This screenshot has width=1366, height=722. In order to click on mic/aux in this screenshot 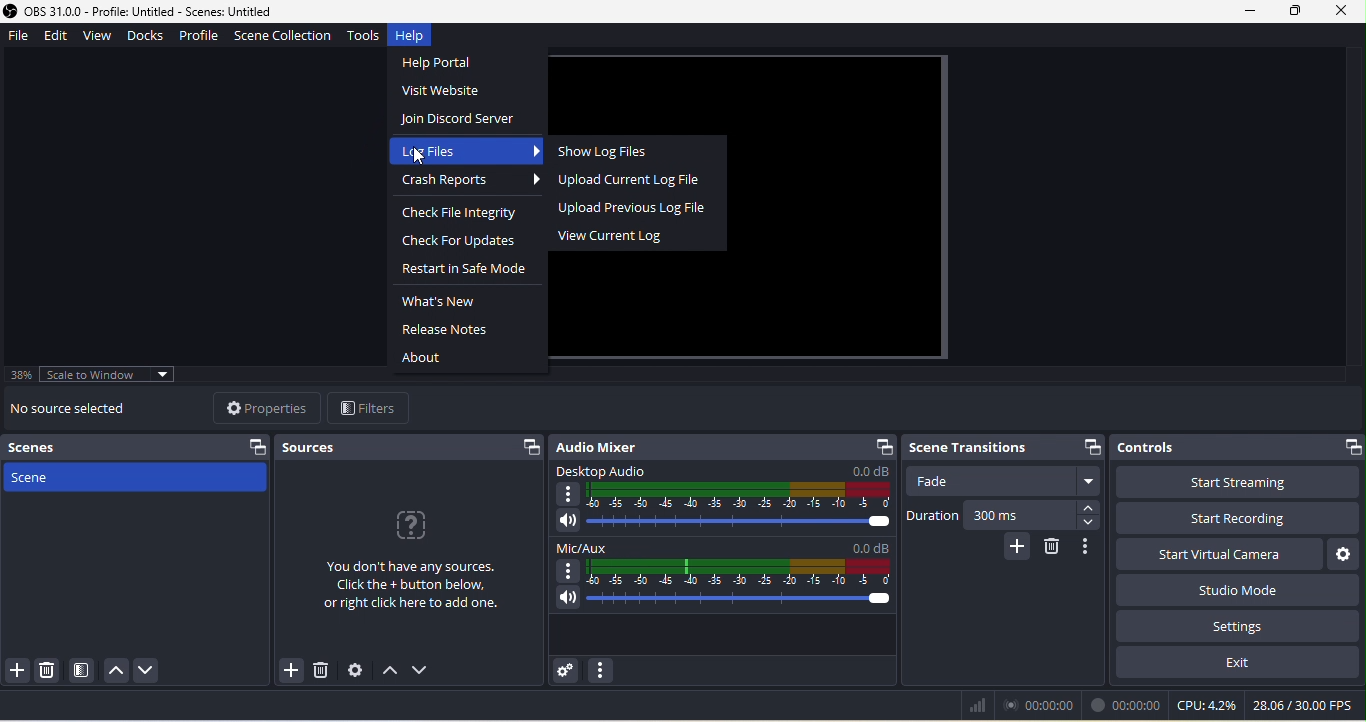, I will do `click(725, 563)`.